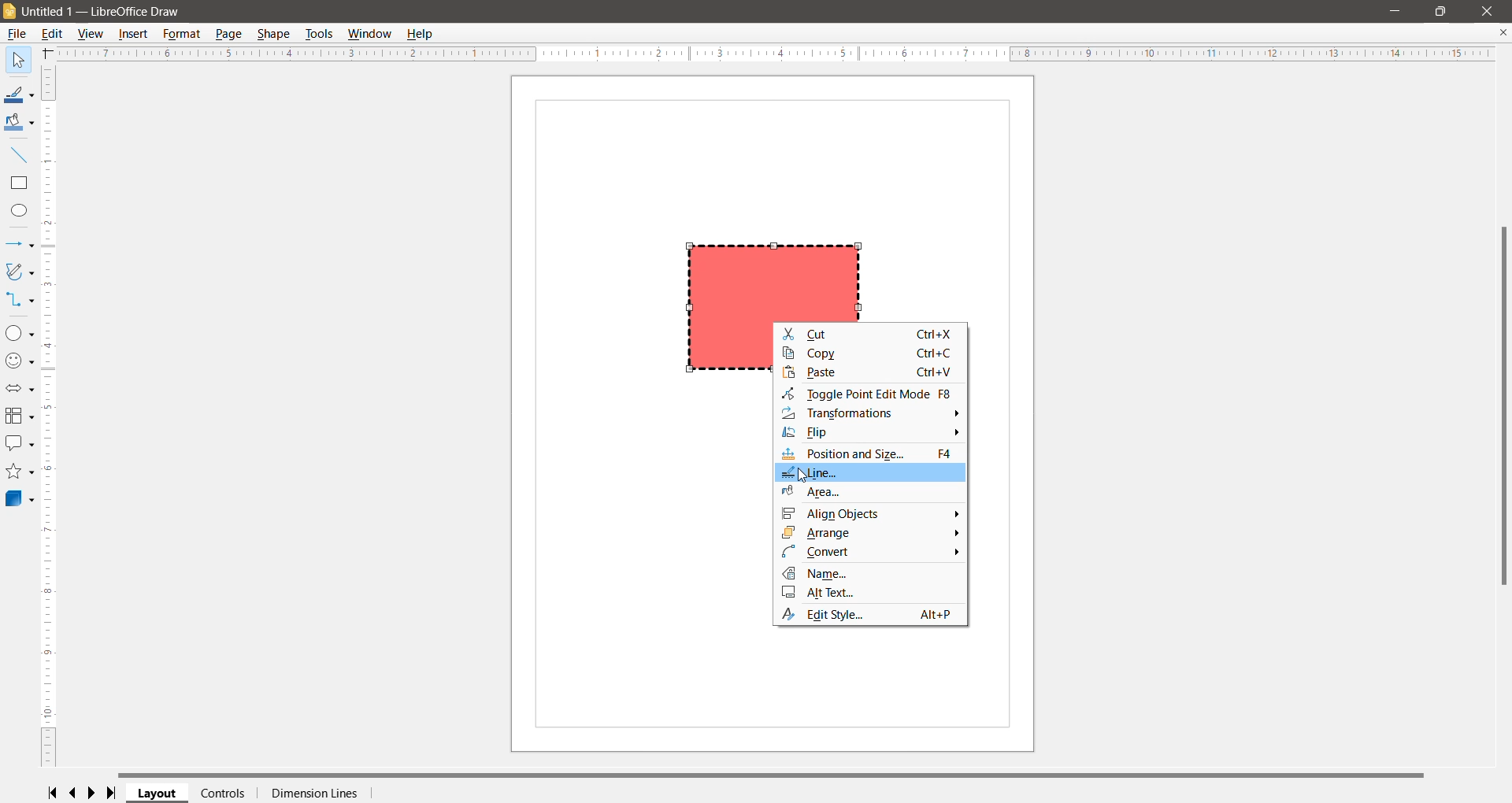  I want to click on Arrange, so click(821, 532).